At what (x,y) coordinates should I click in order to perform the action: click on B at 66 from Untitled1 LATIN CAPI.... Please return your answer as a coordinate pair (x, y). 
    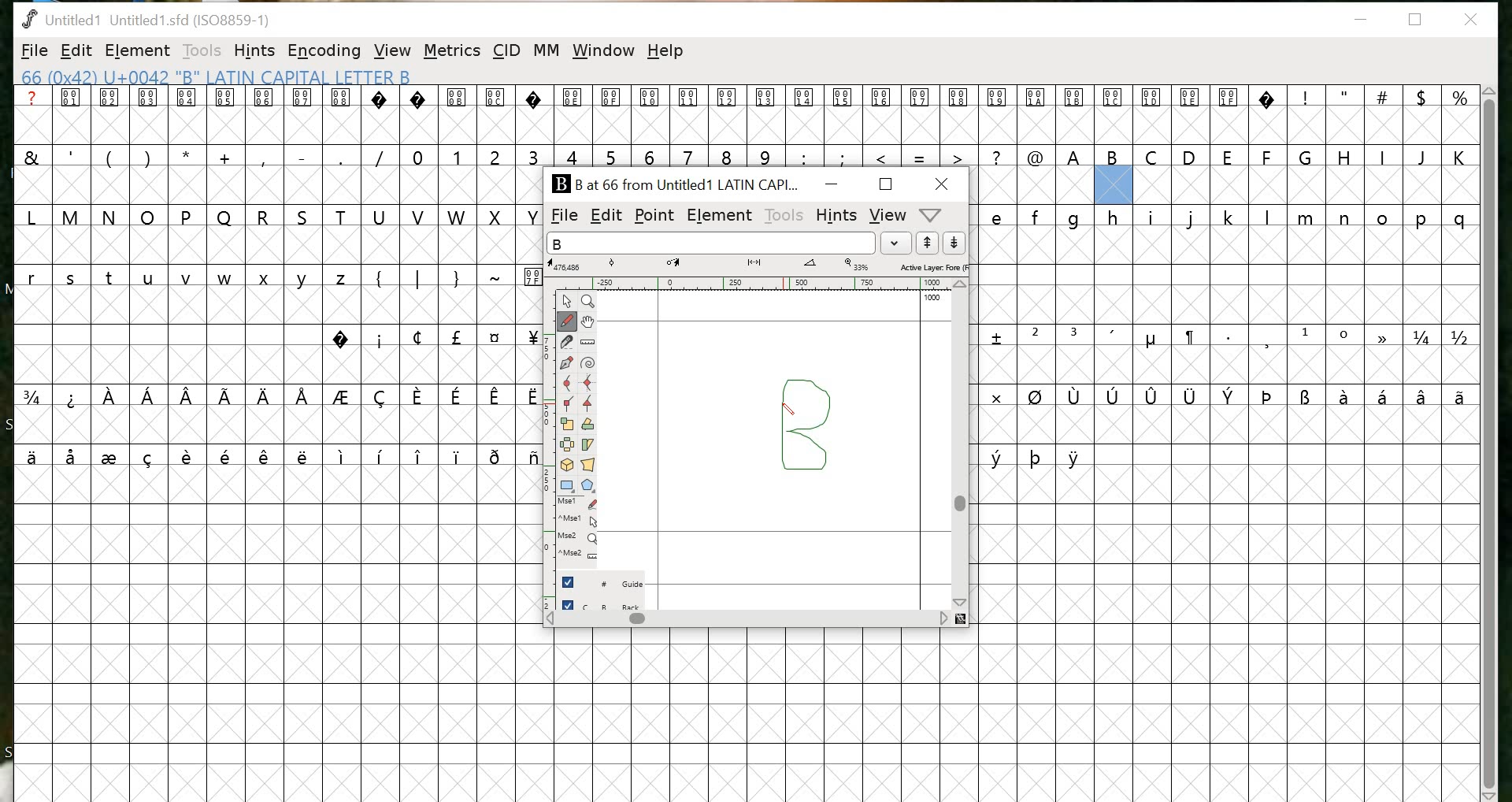
    Looking at the image, I should click on (675, 182).